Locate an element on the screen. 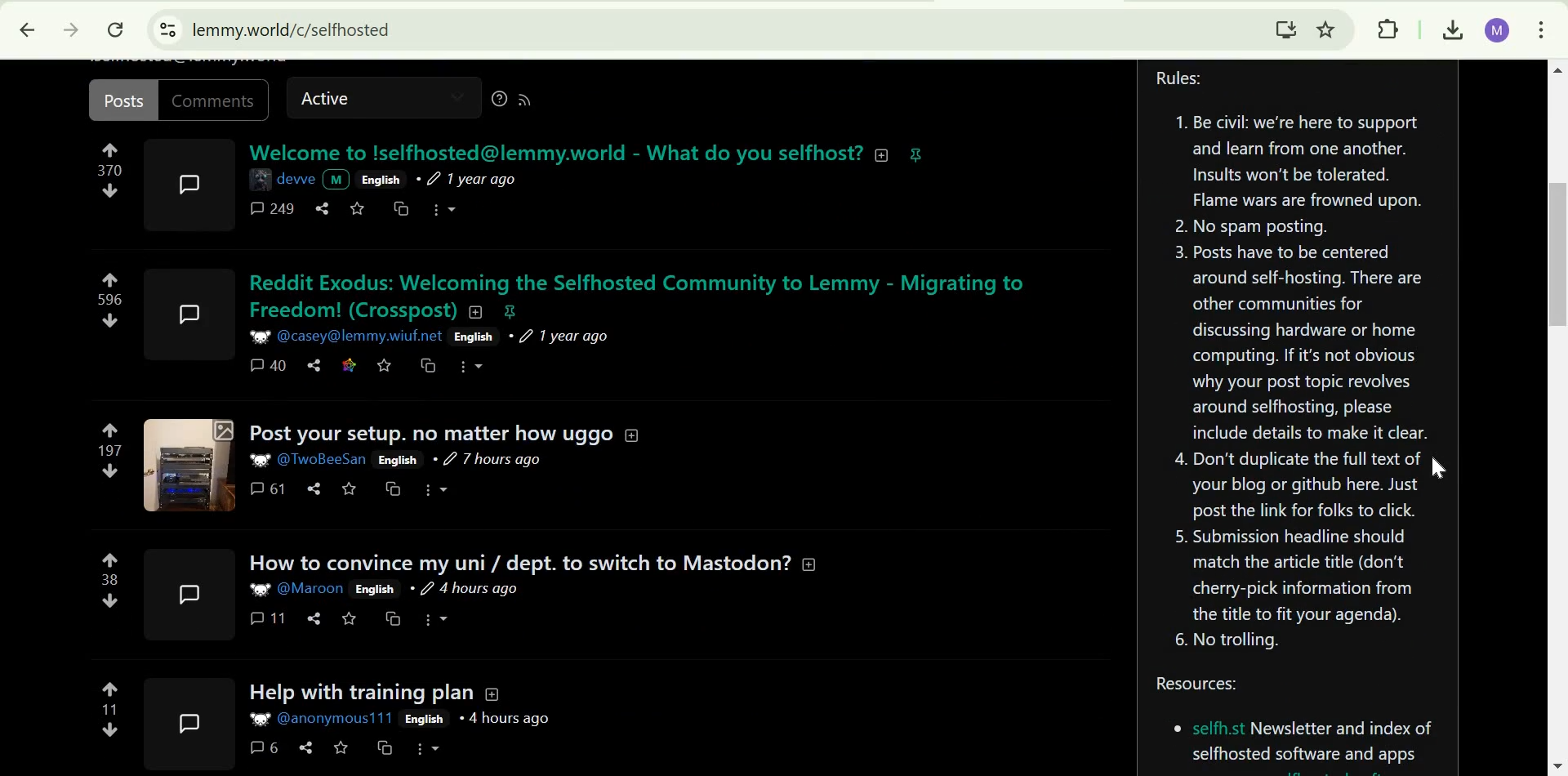 The height and width of the screenshot is (776, 1568). English is located at coordinates (375, 589).